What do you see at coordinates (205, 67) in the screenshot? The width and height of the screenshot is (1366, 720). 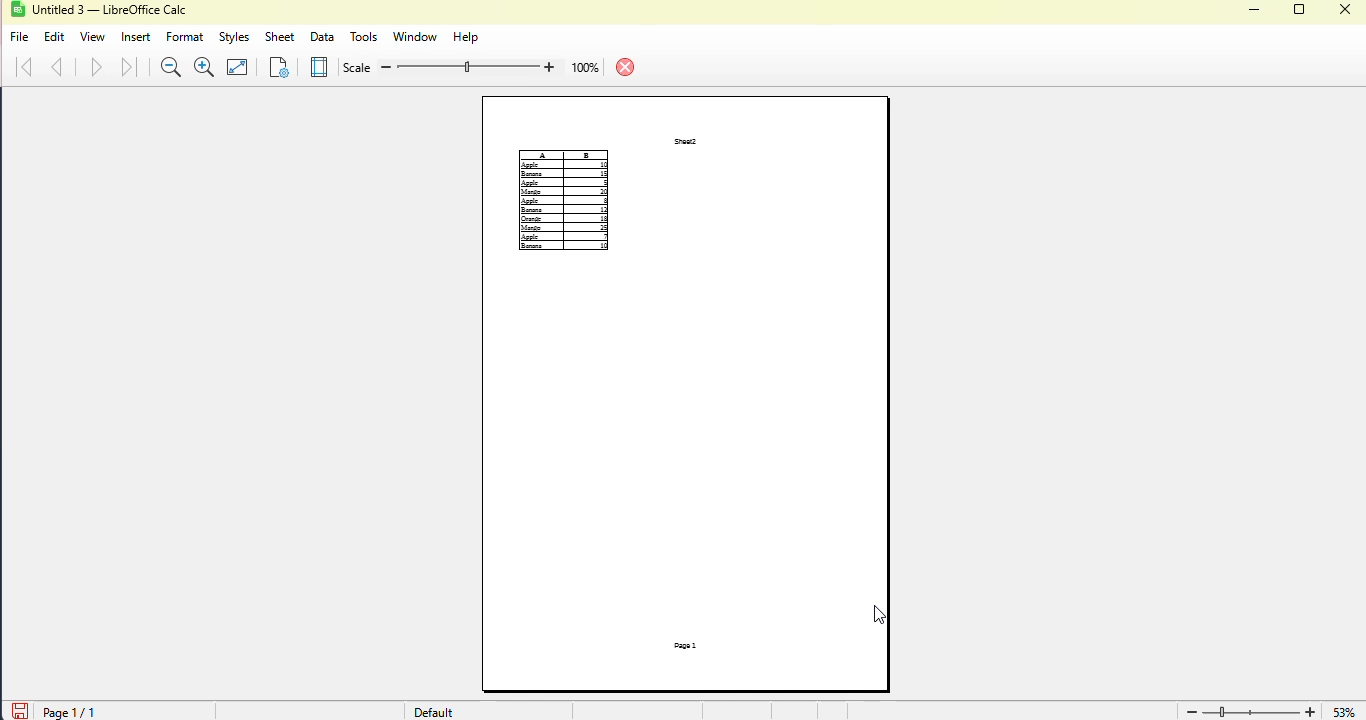 I see `zoom in` at bounding box center [205, 67].